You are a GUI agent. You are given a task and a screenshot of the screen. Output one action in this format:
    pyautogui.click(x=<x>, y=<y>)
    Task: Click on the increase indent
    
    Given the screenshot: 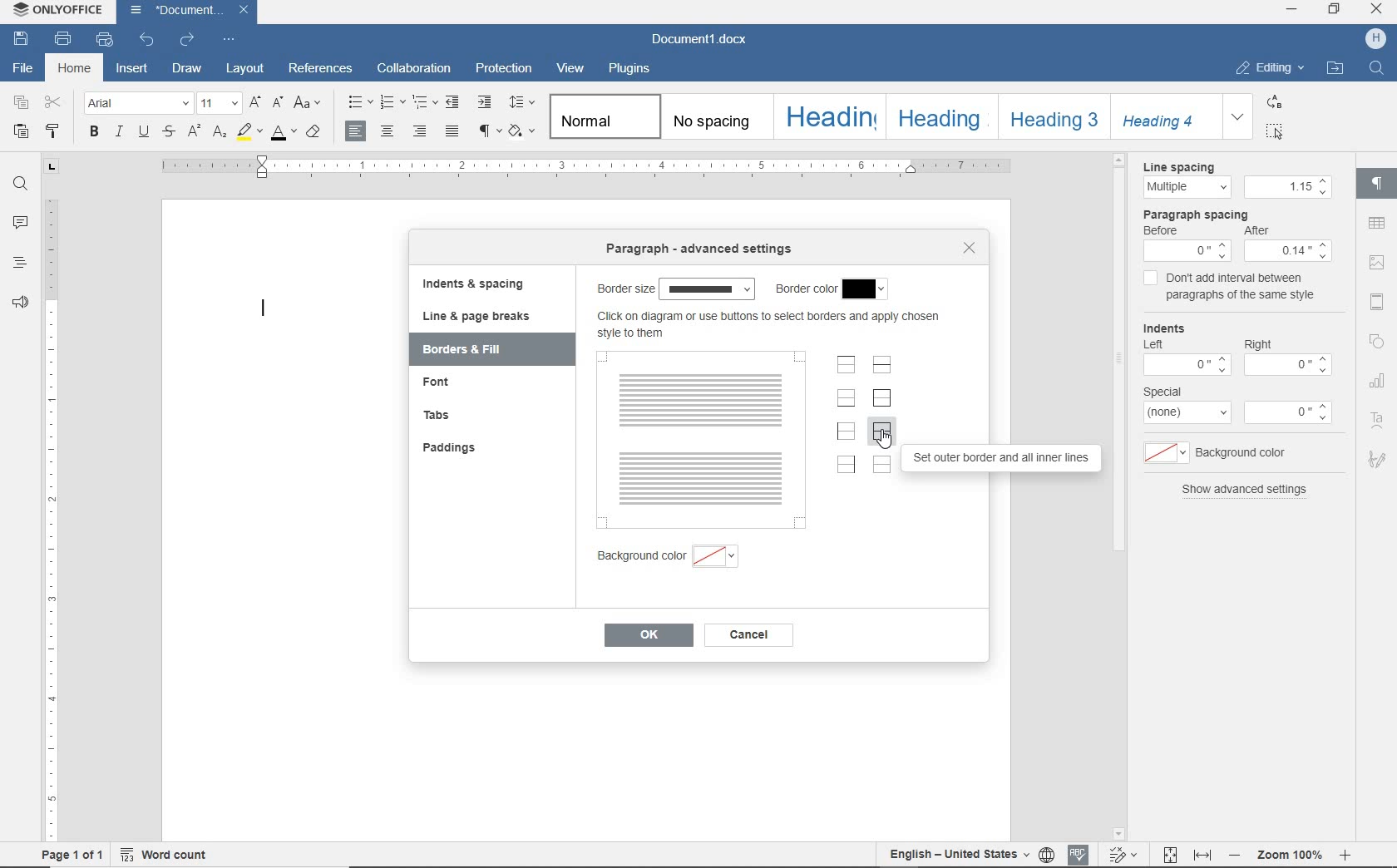 What is the action you would take?
    pyautogui.click(x=486, y=102)
    